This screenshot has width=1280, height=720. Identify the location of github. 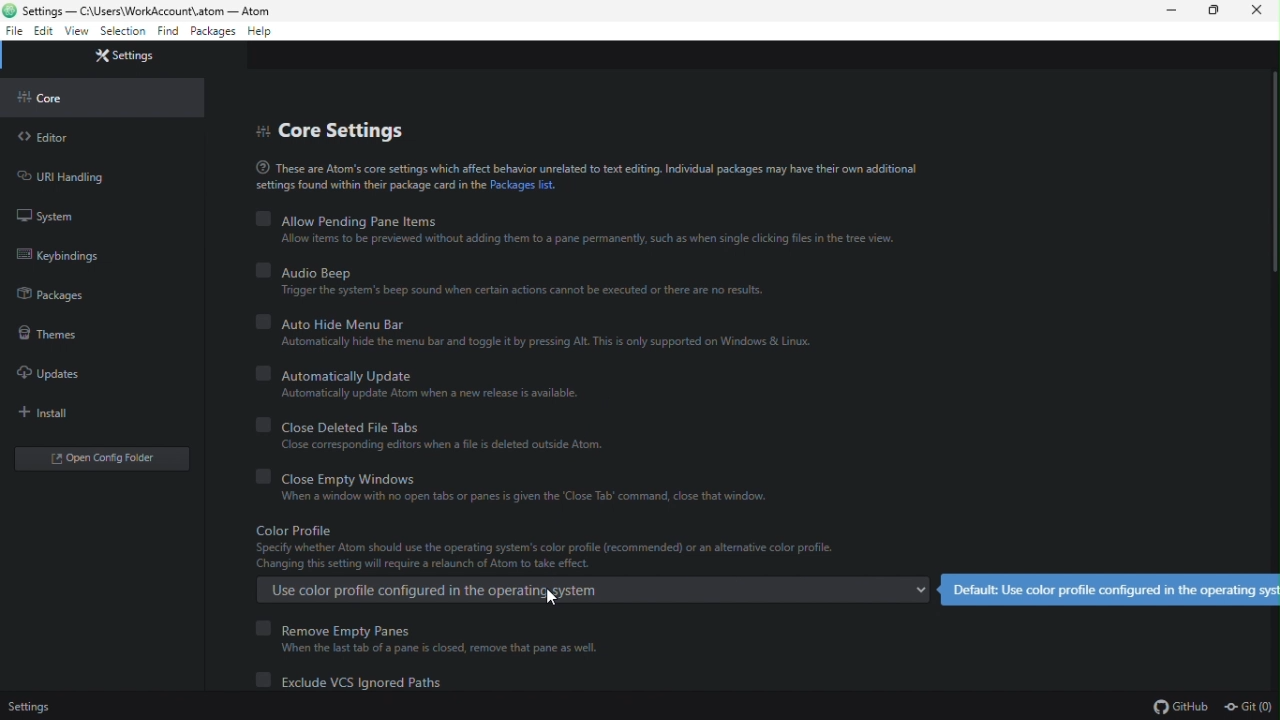
(1180, 706).